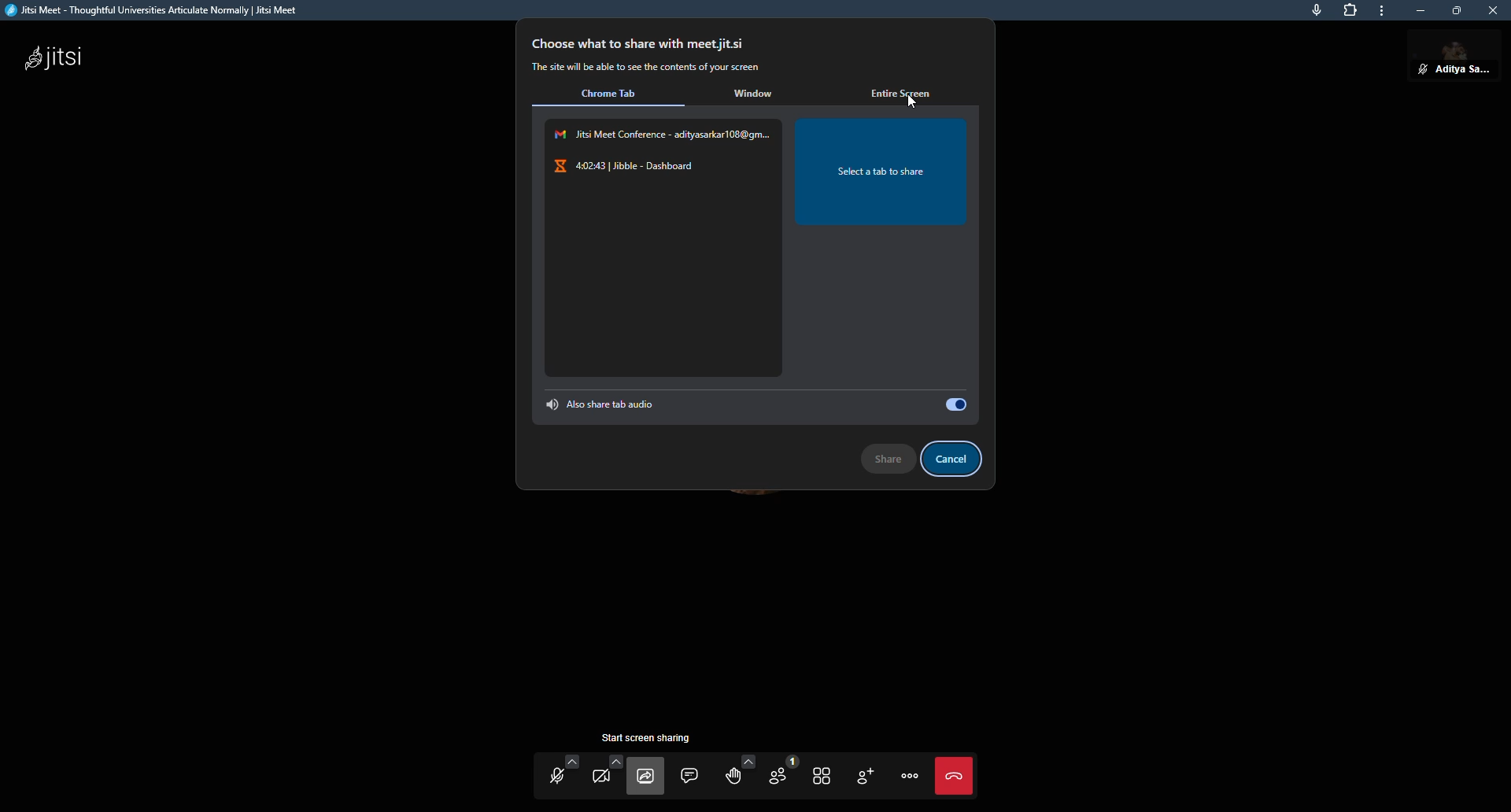 This screenshot has height=812, width=1511. Describe the element at coordinates (55, 59) in the screenshot. I see `jitsi` at that location.